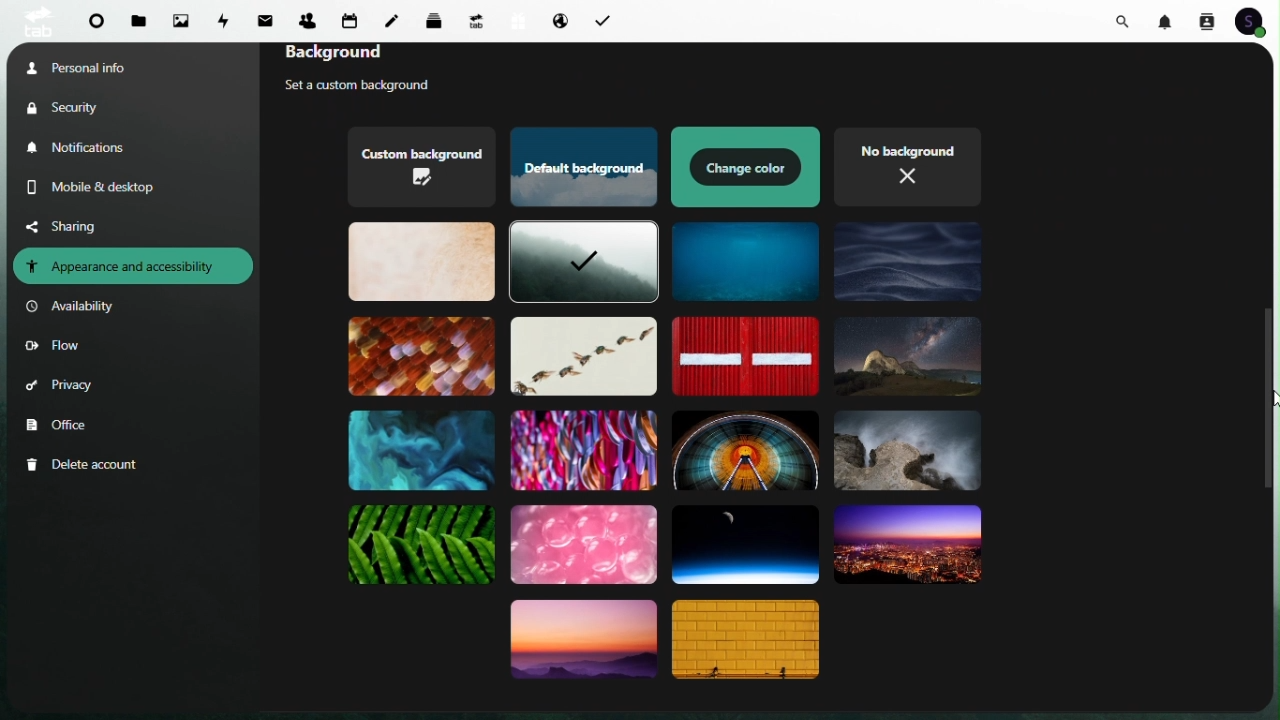  Describe the element at coordinates (226, 19) in the screenshot. I see `Activity` at that location.